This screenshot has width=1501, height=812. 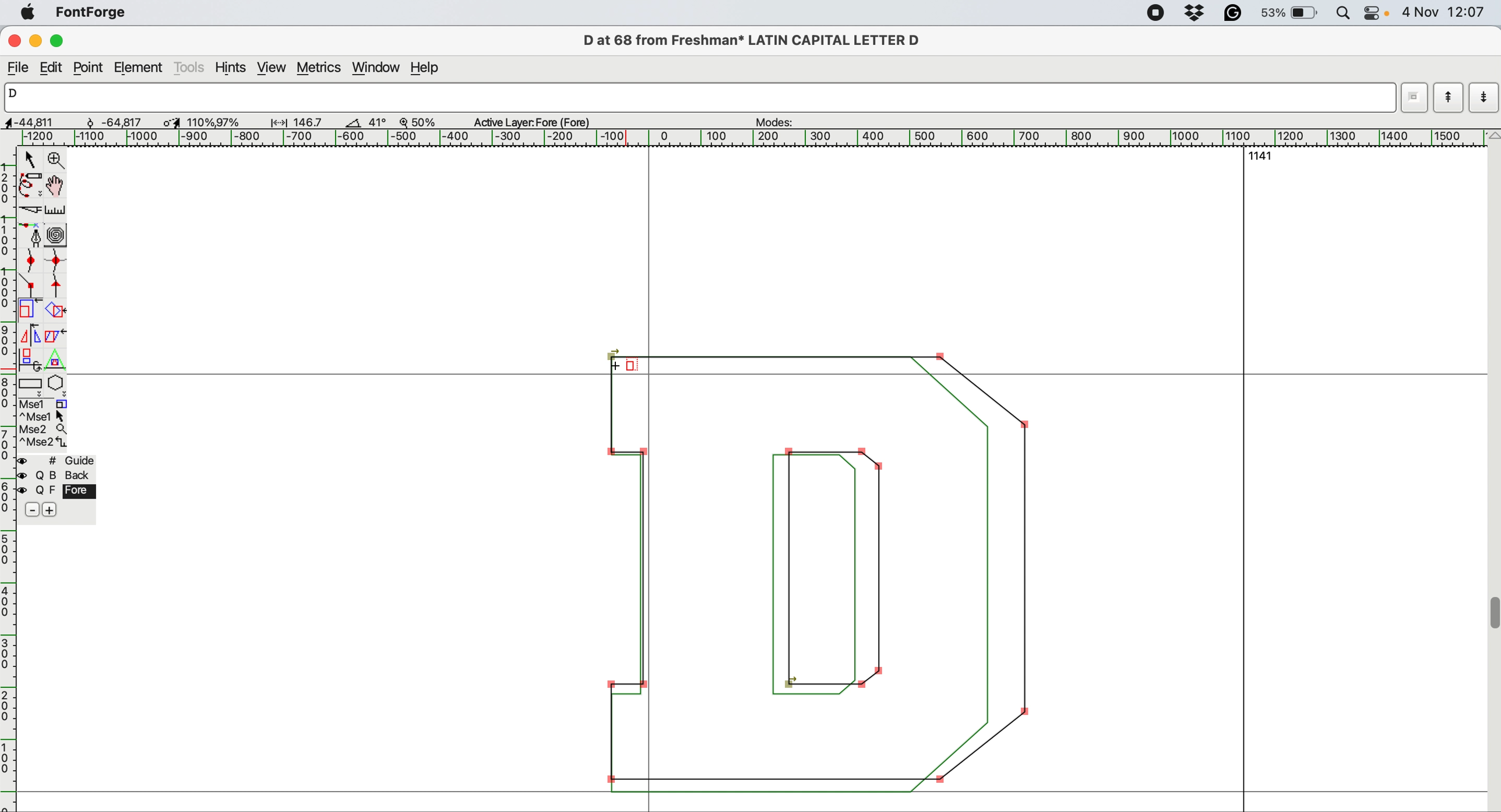 I want to click on metrics, so click(x=320, y=70).